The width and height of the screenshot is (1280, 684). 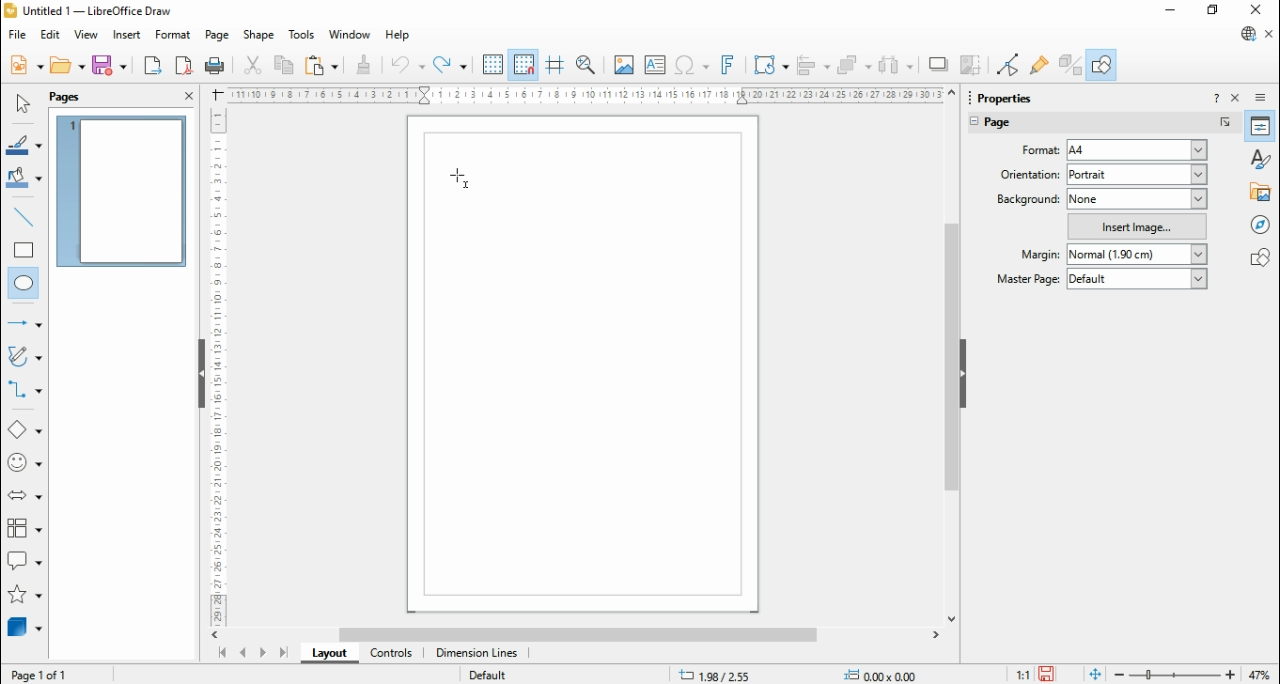 I want to click on close document, so click(x=1270, y=35).